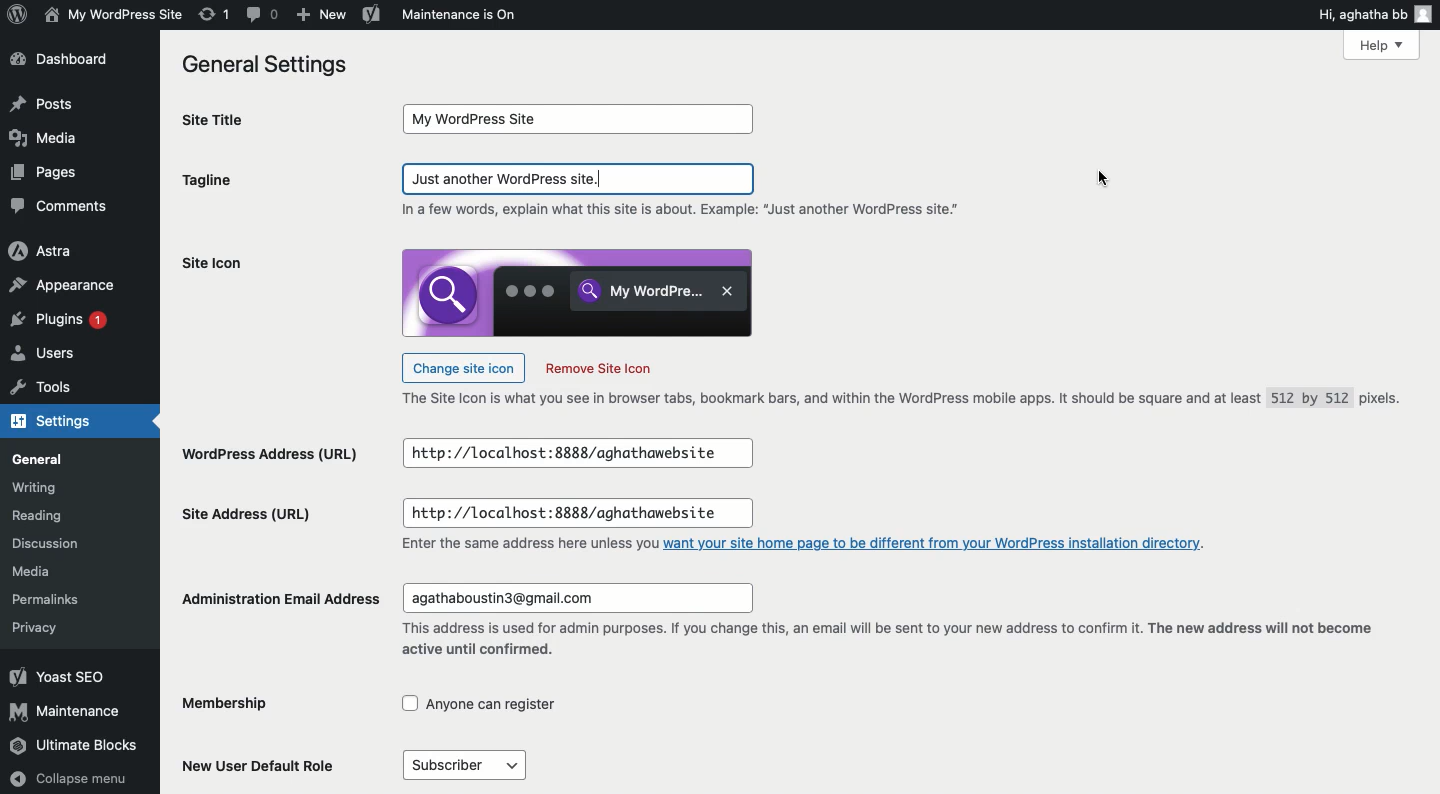 Image resolution: width=1440 pixels, height=794 pixels. I want to click on input box, so click(581, 119).